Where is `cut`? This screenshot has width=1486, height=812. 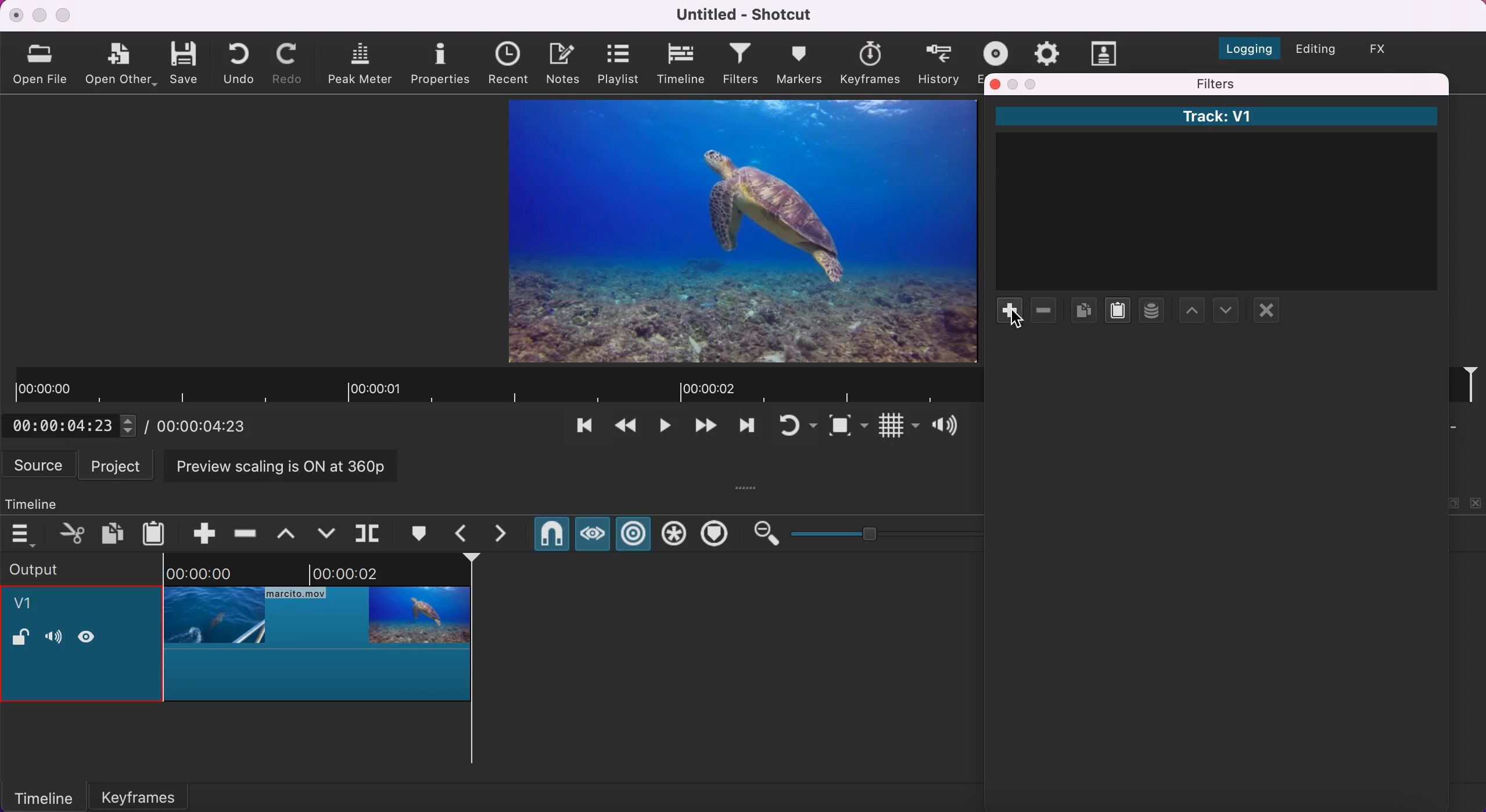
cut is located at coordinates (73, 533).